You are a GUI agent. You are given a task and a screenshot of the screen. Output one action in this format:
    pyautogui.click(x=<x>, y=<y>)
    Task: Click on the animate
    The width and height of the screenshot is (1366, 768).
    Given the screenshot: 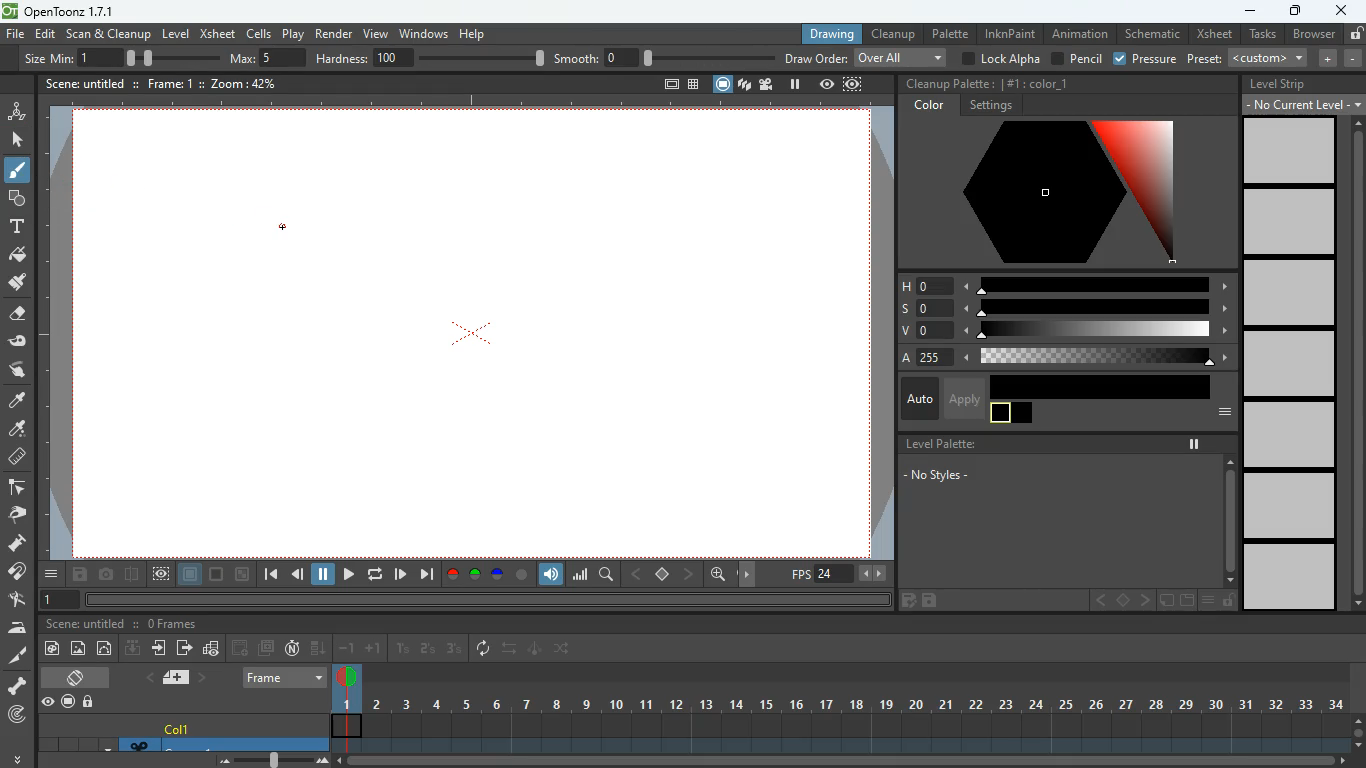 What is the action you would take?
    pyautogui.click(x=536, y=650)
    